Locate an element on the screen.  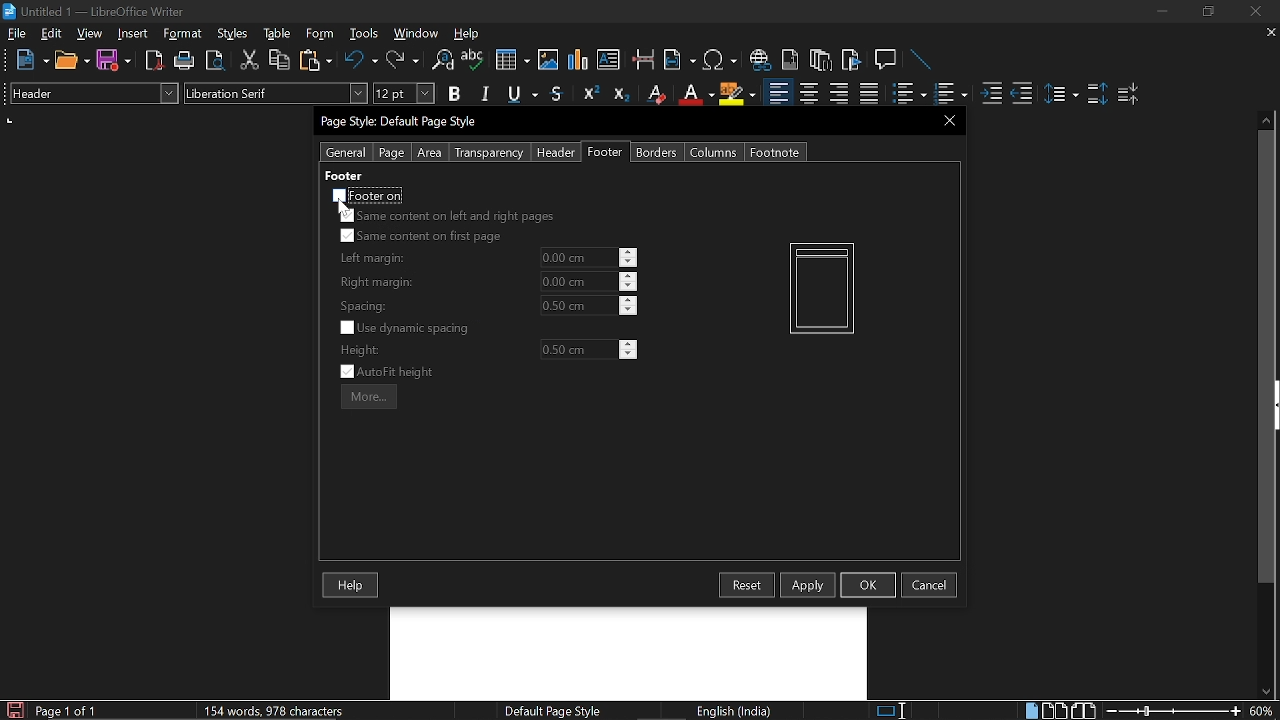
decrease left margin is located at coordinates (629, 263).